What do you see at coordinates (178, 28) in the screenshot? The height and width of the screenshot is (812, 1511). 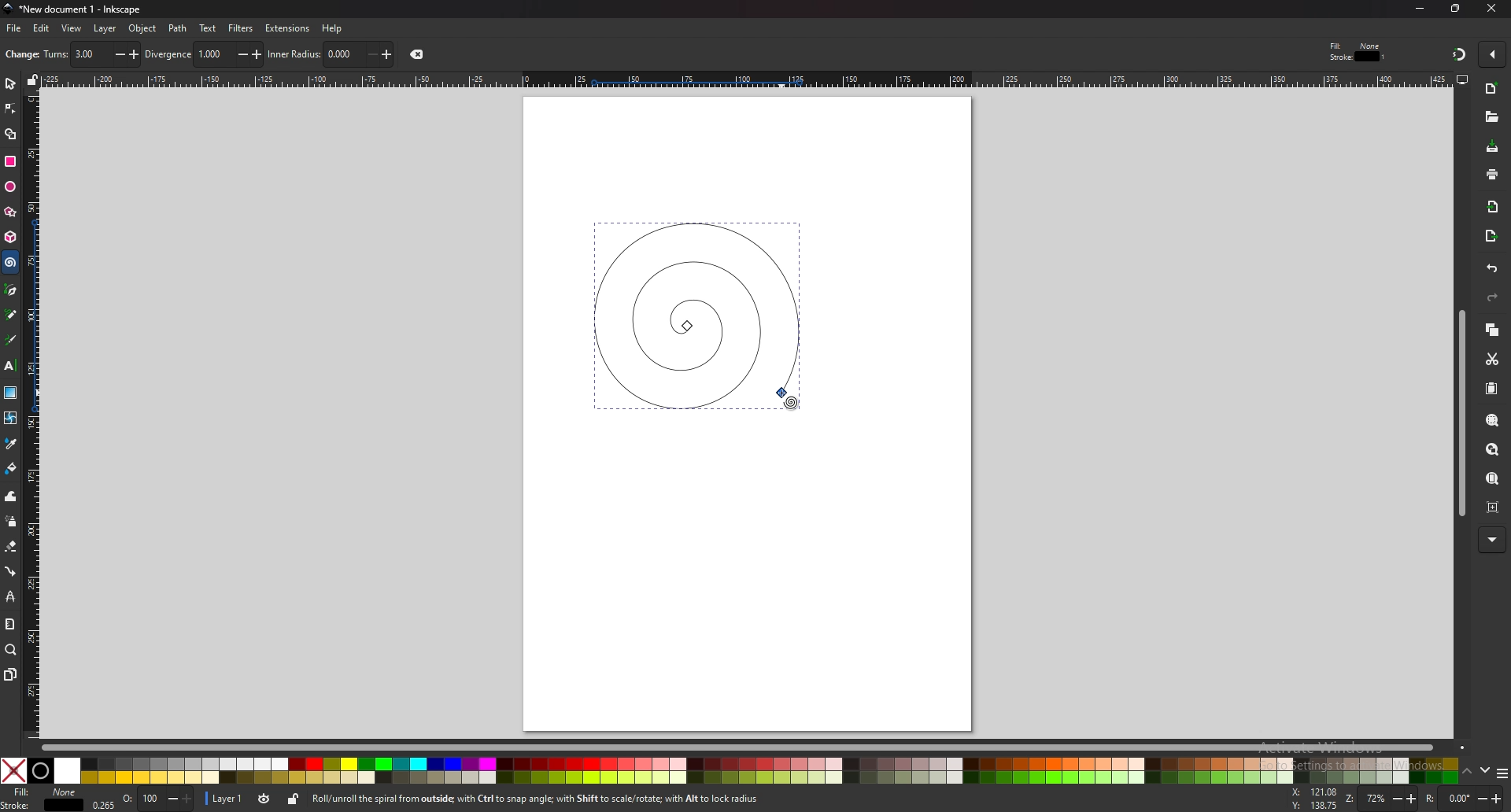 I see `path` at bounding box center [178, 28].